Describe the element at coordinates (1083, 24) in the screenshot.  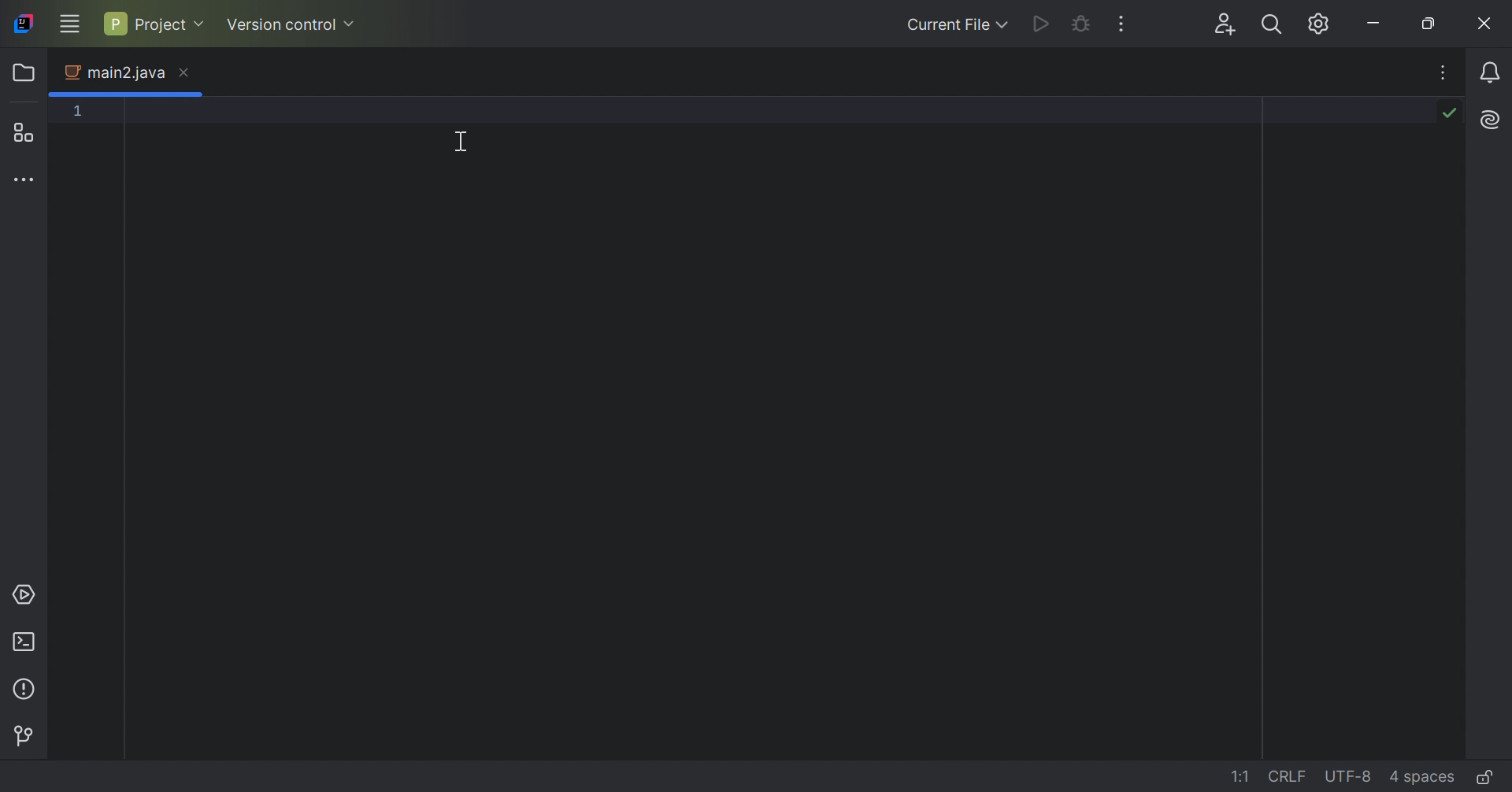
I see `Debug` at that location.